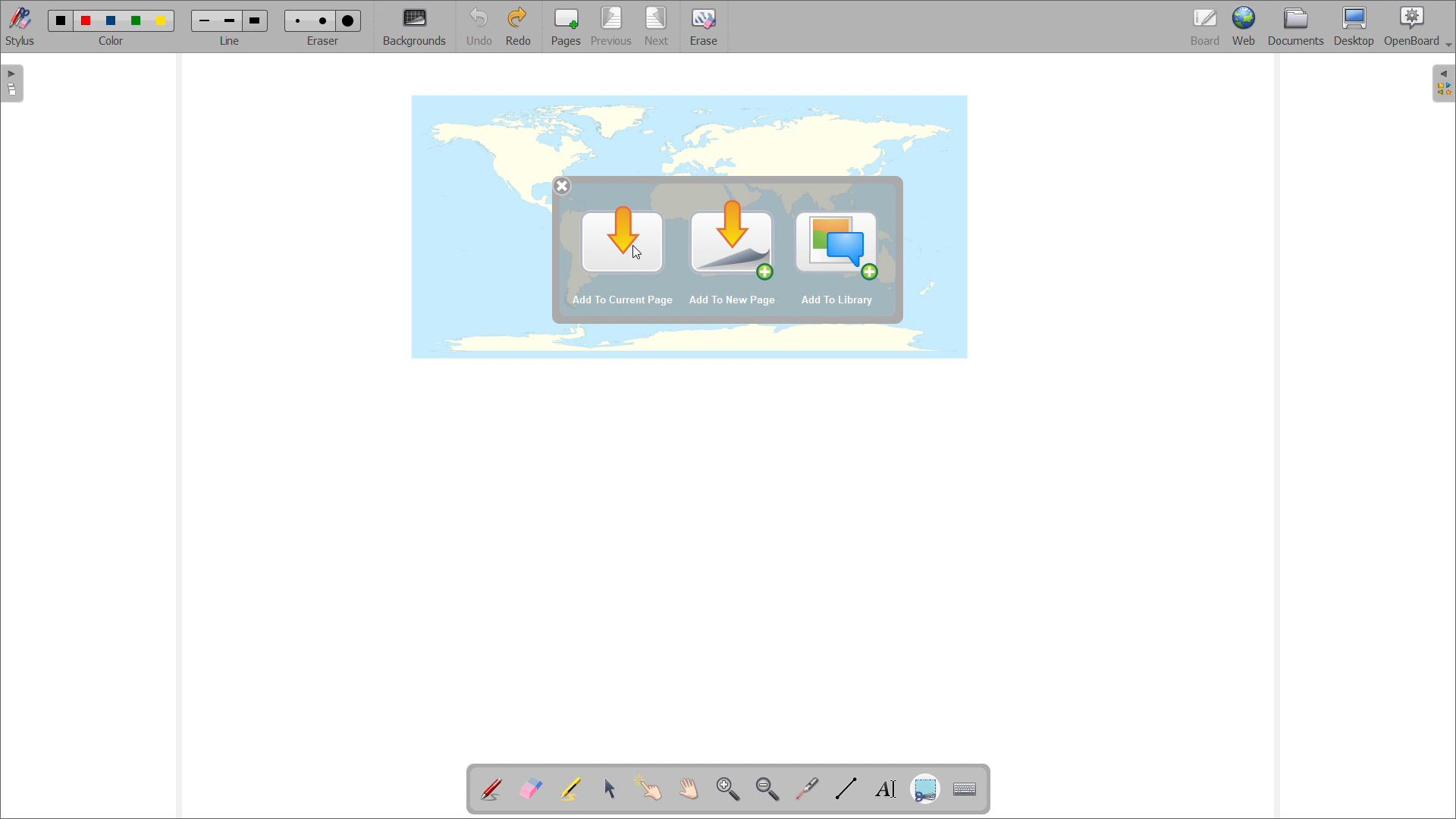 The image size is (1456, 819). Describe the element at coordinates (490, 787) in the screenshot. I see `add annotation` at that location.